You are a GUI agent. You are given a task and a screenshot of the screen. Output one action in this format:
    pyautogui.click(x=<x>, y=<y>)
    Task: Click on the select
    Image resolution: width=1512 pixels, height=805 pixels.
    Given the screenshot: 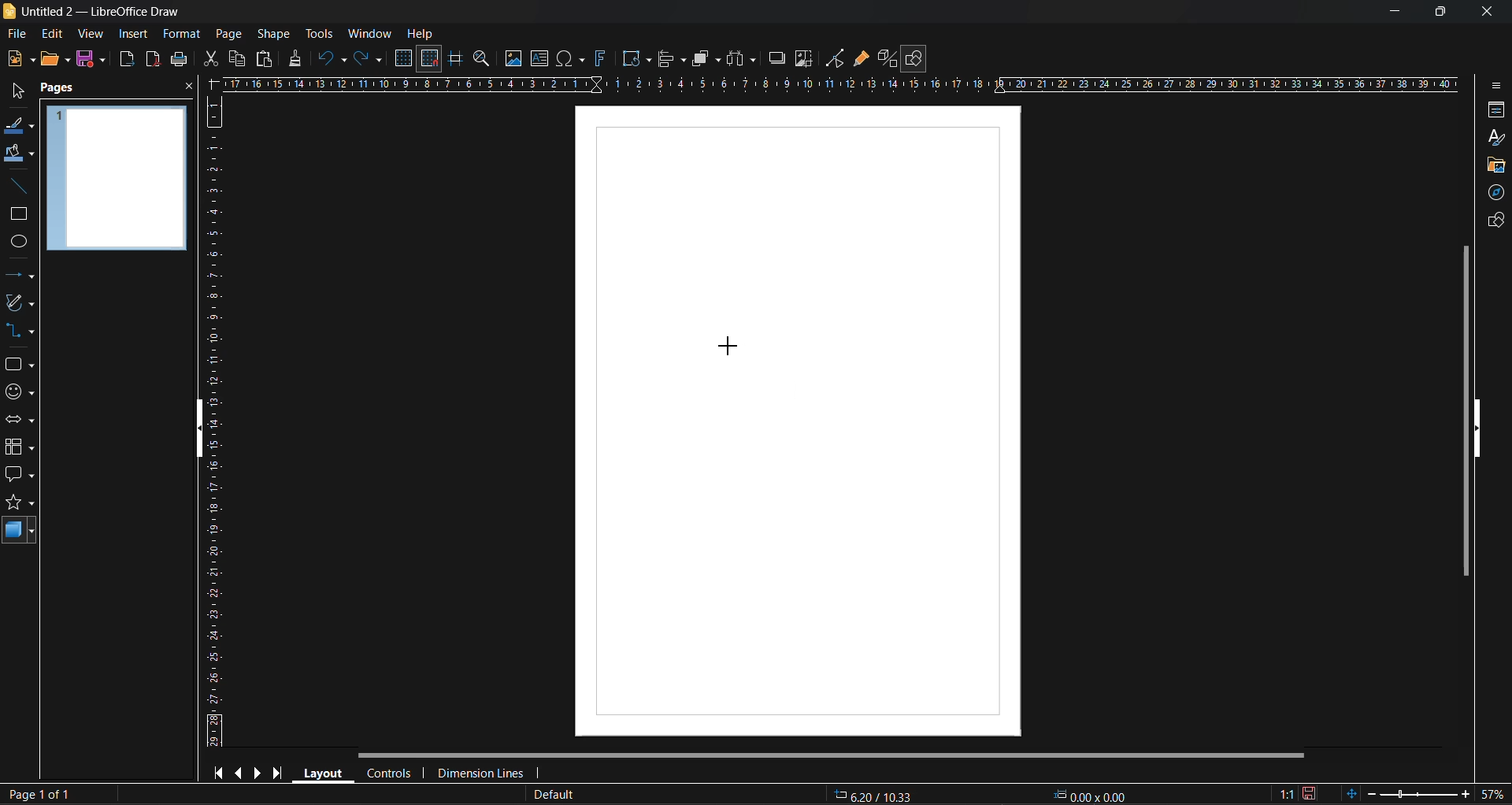 What is the action you would take?
    pyautogui.click(x=14, y=94)
    